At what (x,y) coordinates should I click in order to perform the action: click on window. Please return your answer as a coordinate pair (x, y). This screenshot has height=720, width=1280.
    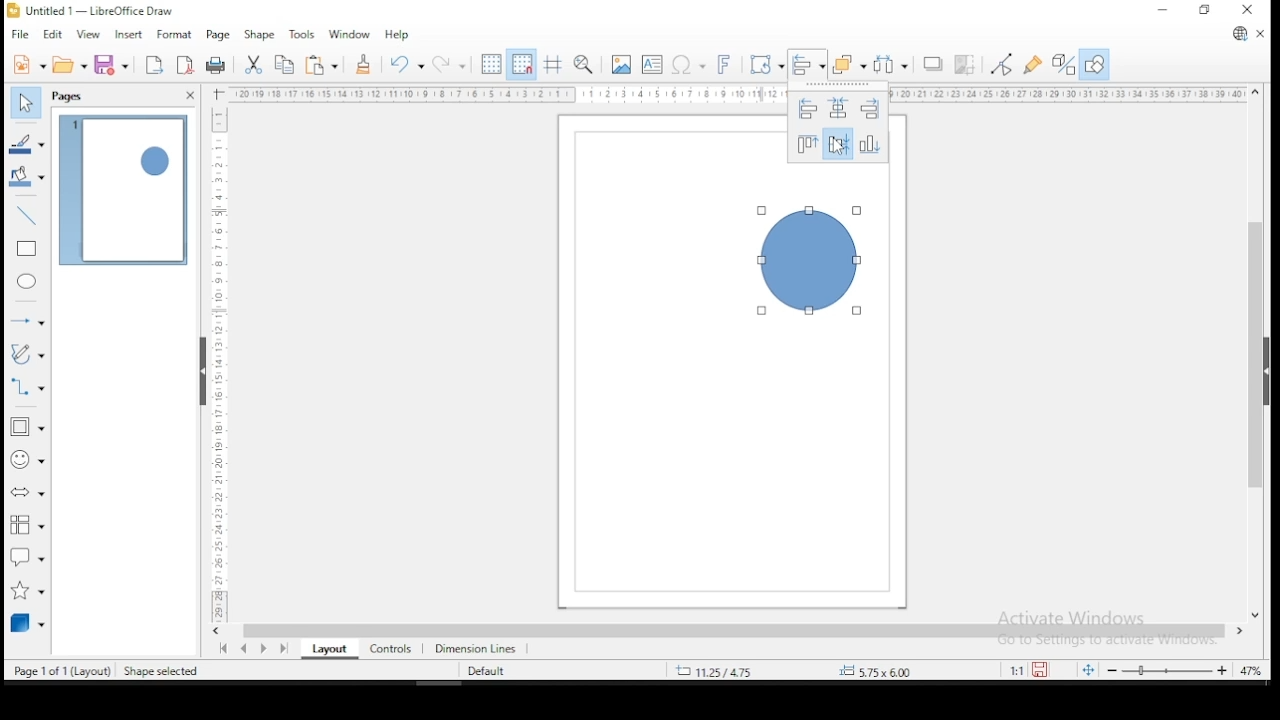
    Looking at the image, I should click on (349, 33).